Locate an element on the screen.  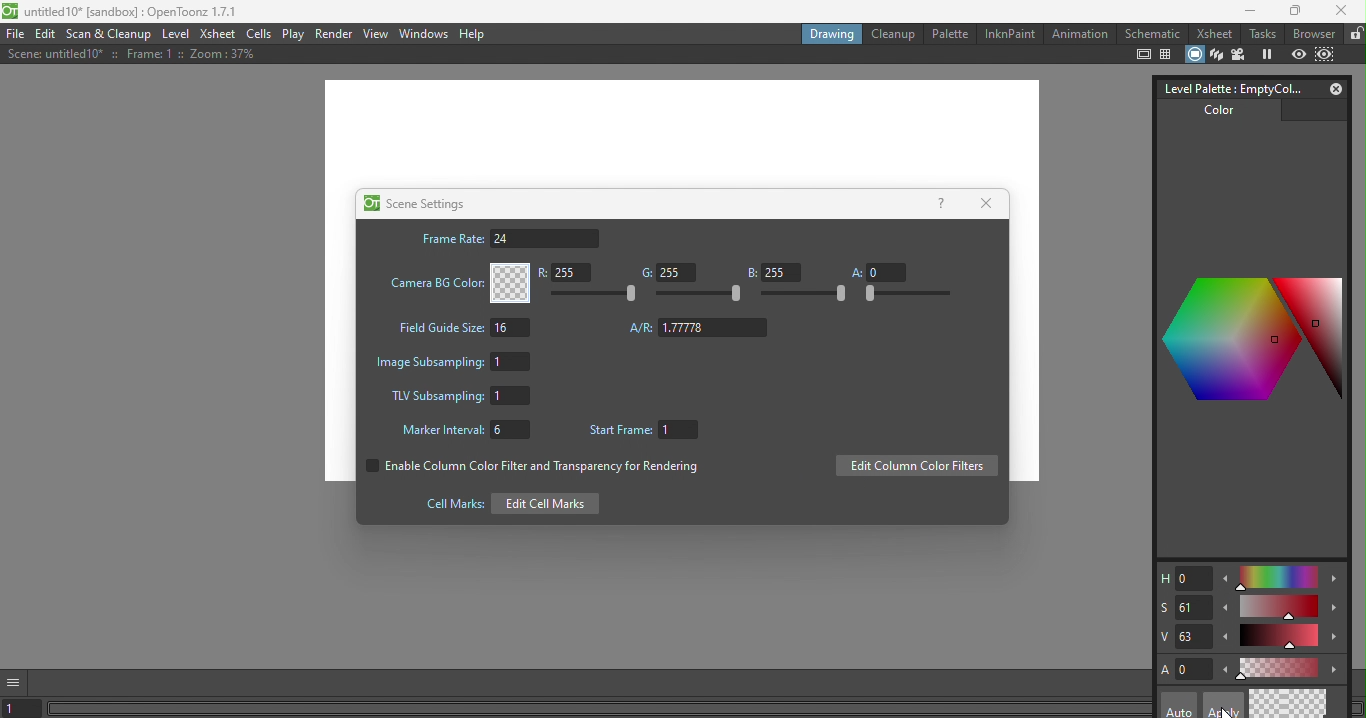
Browser is located at coordinates (1312, 33).